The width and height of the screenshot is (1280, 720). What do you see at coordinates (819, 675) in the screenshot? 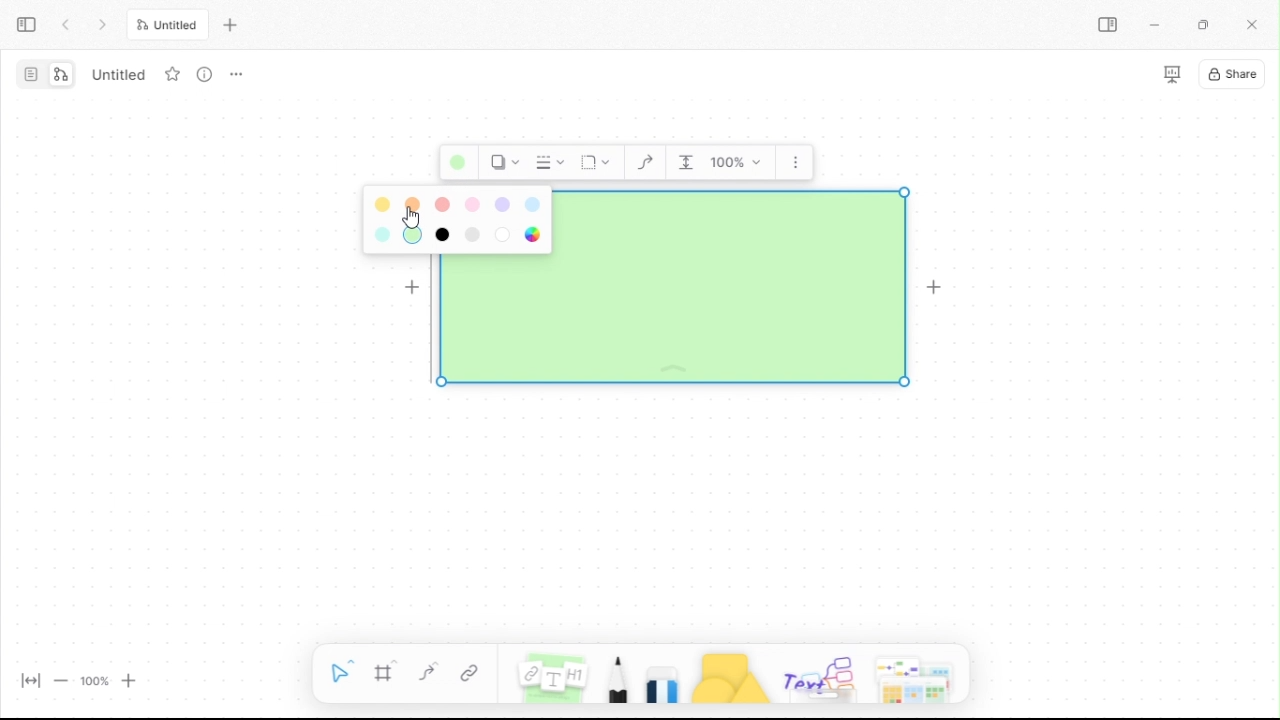
I see `others` at bounding box center [819, 675].